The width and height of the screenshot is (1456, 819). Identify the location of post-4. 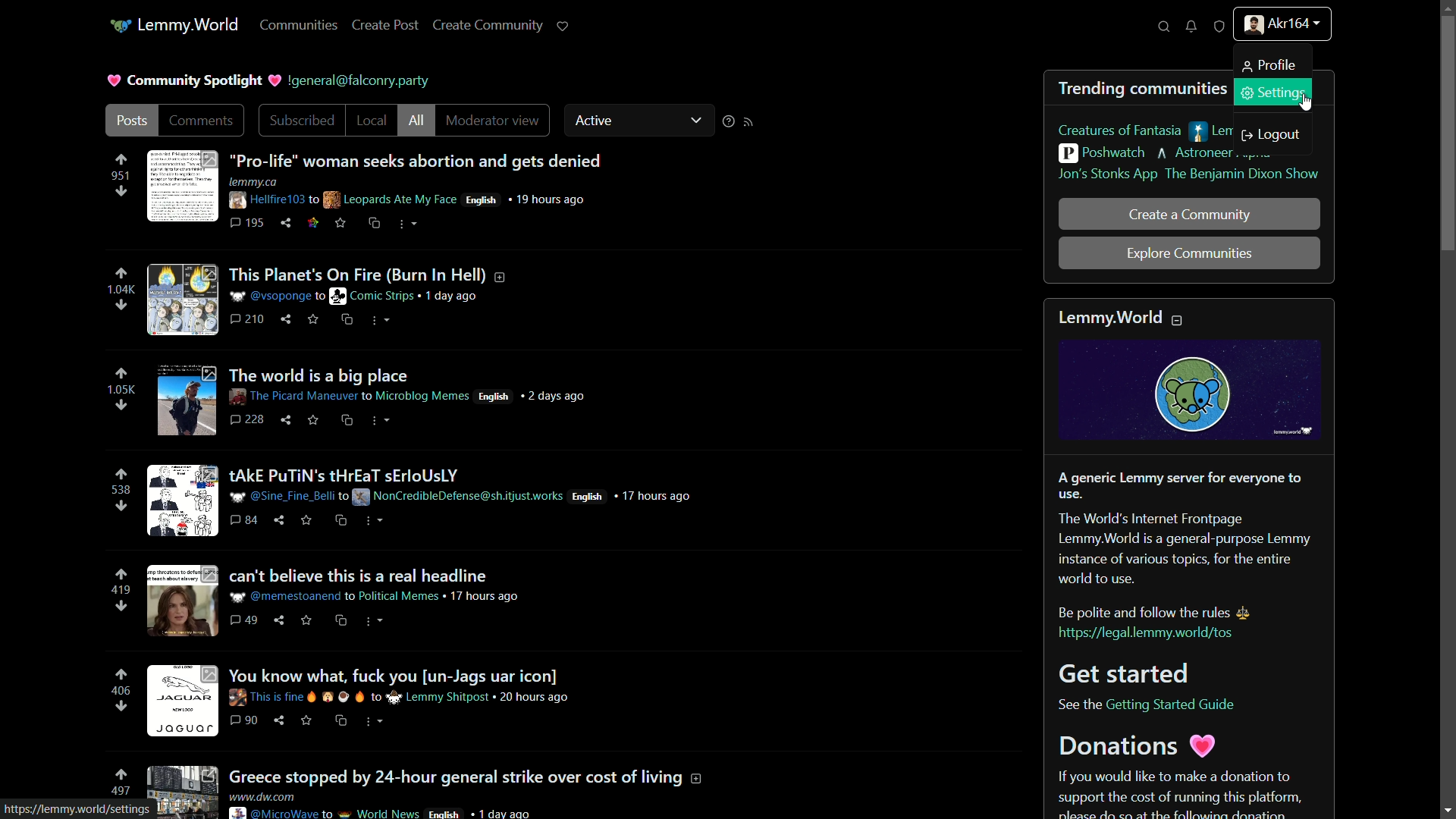
(420, 498).